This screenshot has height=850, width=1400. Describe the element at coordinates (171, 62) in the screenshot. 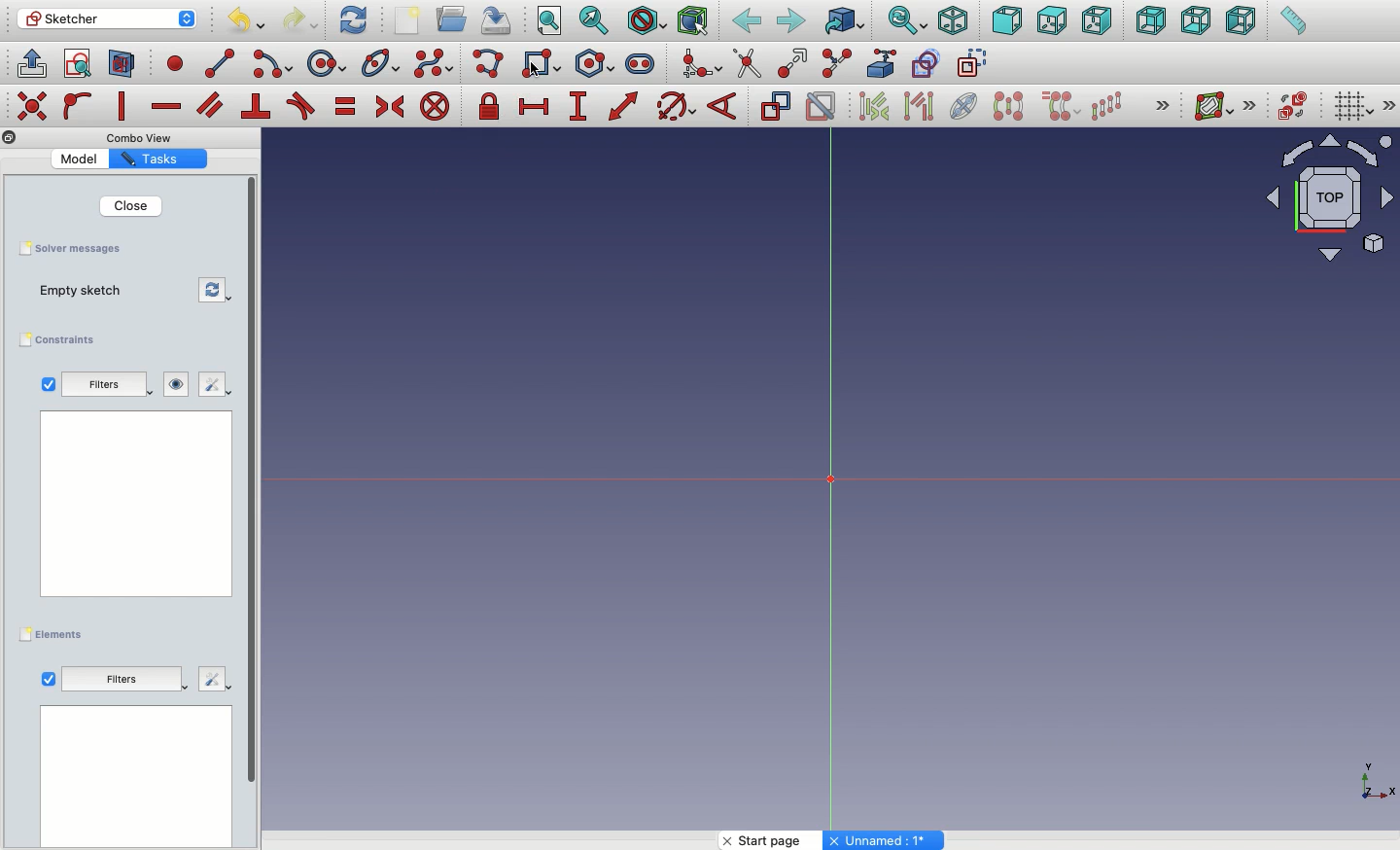

I see `point` at that location.